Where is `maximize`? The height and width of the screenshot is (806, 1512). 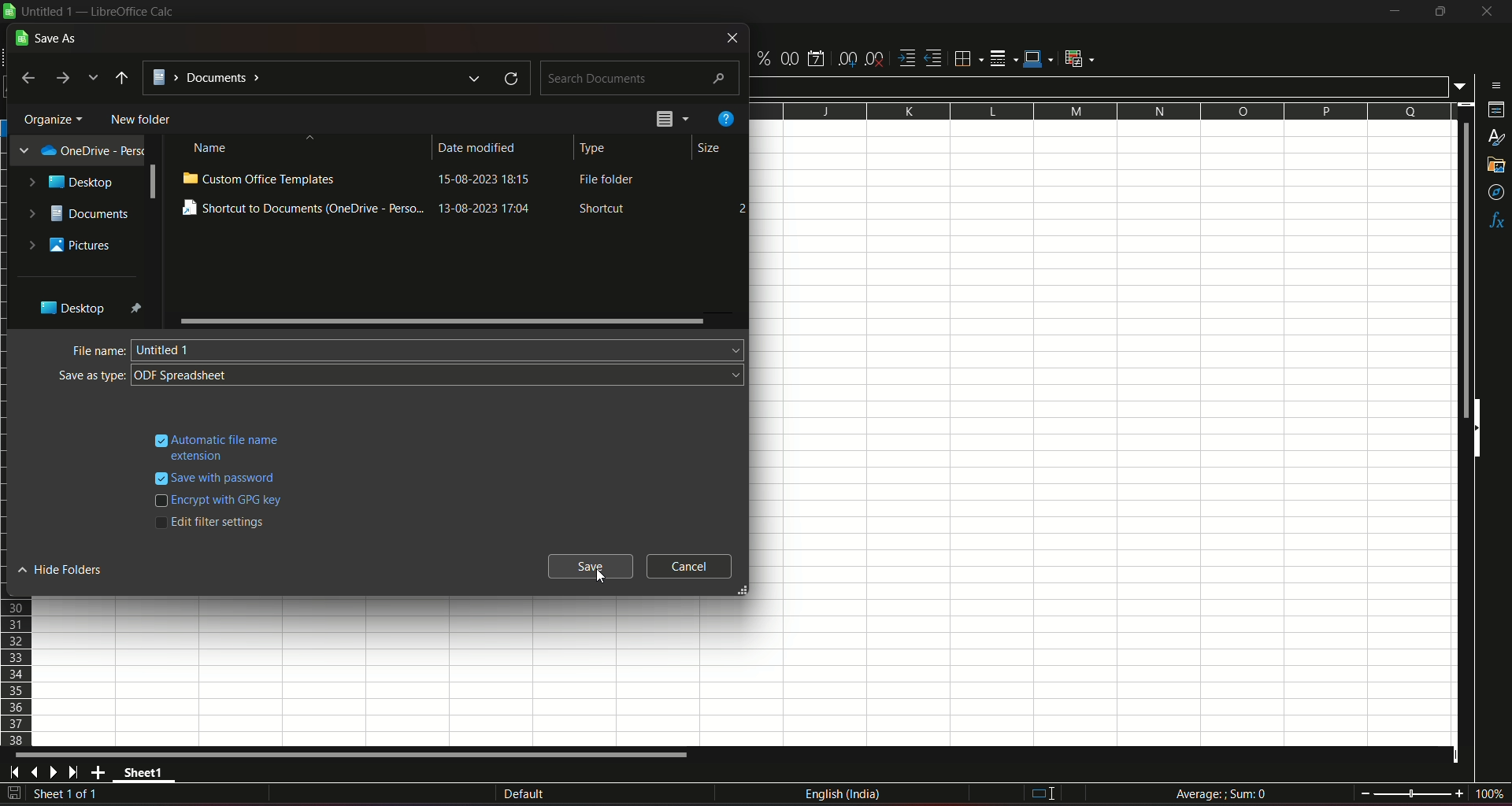 maximize is located at coordinates (1440, 12).